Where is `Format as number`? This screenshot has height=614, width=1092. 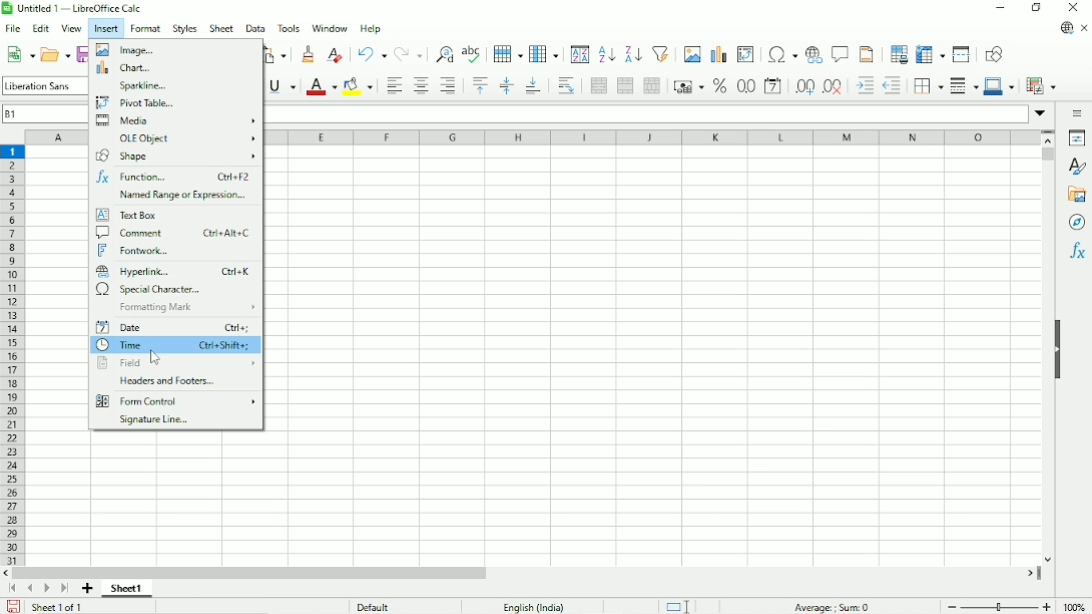 Format as number is located at coordinates (745, 85).